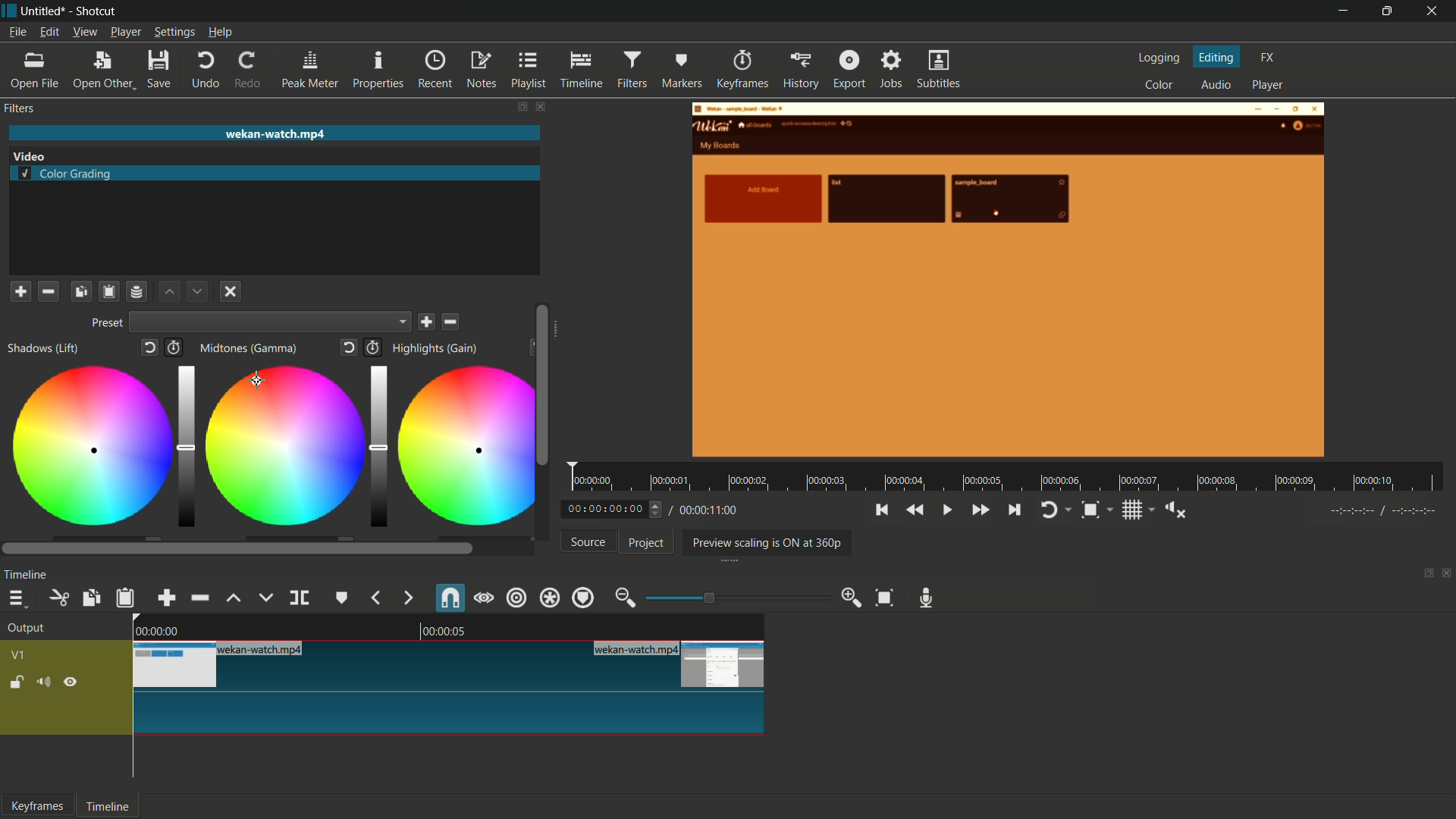 The height and width of the screenshot is (819, 1456). Describe the element at coordinates (881, 510) in the screenshot. I see `skip to the previous point` at that location.